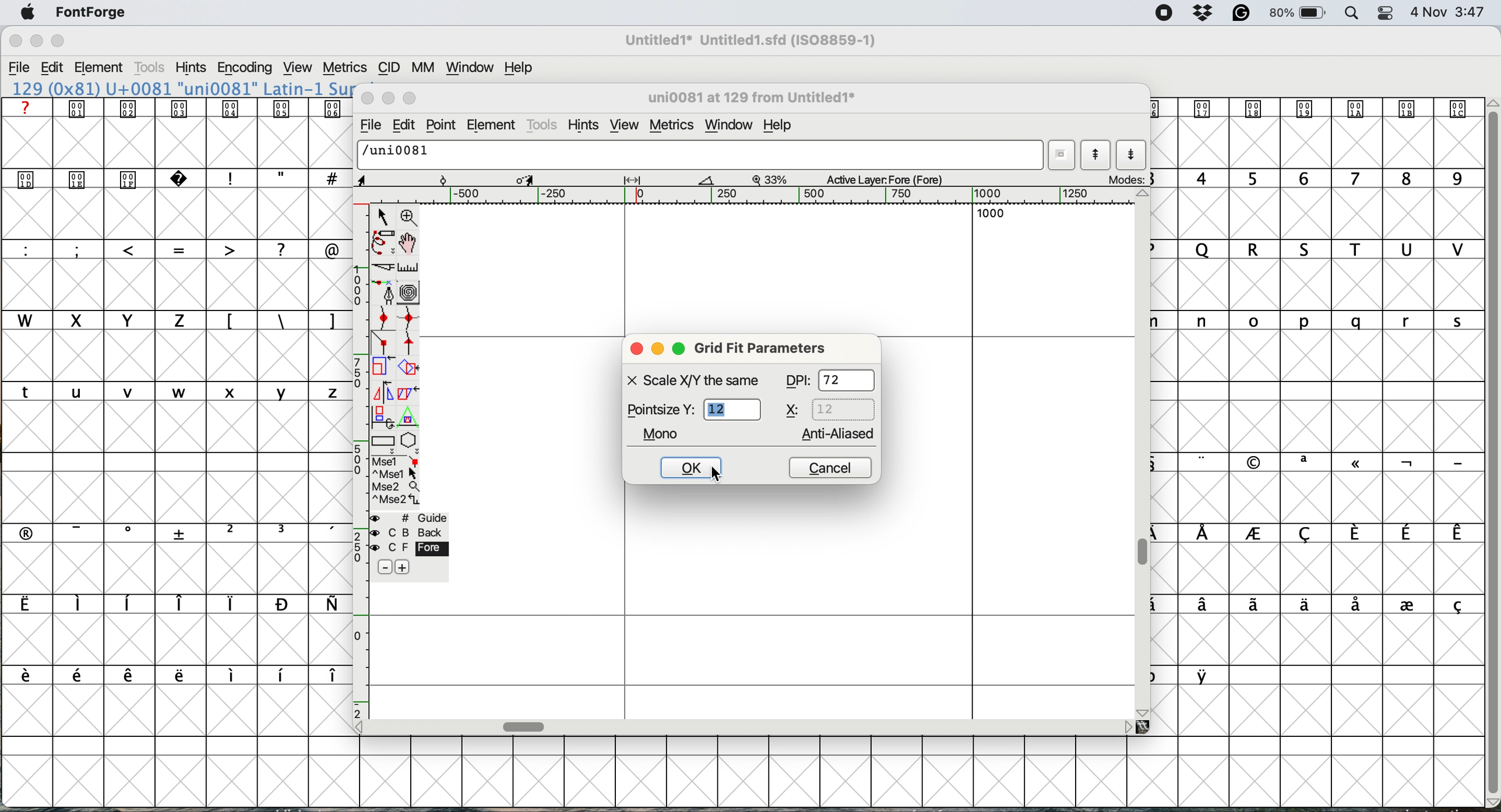 This screenshot has height=812, width=1501. I want to click on cursor position, so click(380, 179).